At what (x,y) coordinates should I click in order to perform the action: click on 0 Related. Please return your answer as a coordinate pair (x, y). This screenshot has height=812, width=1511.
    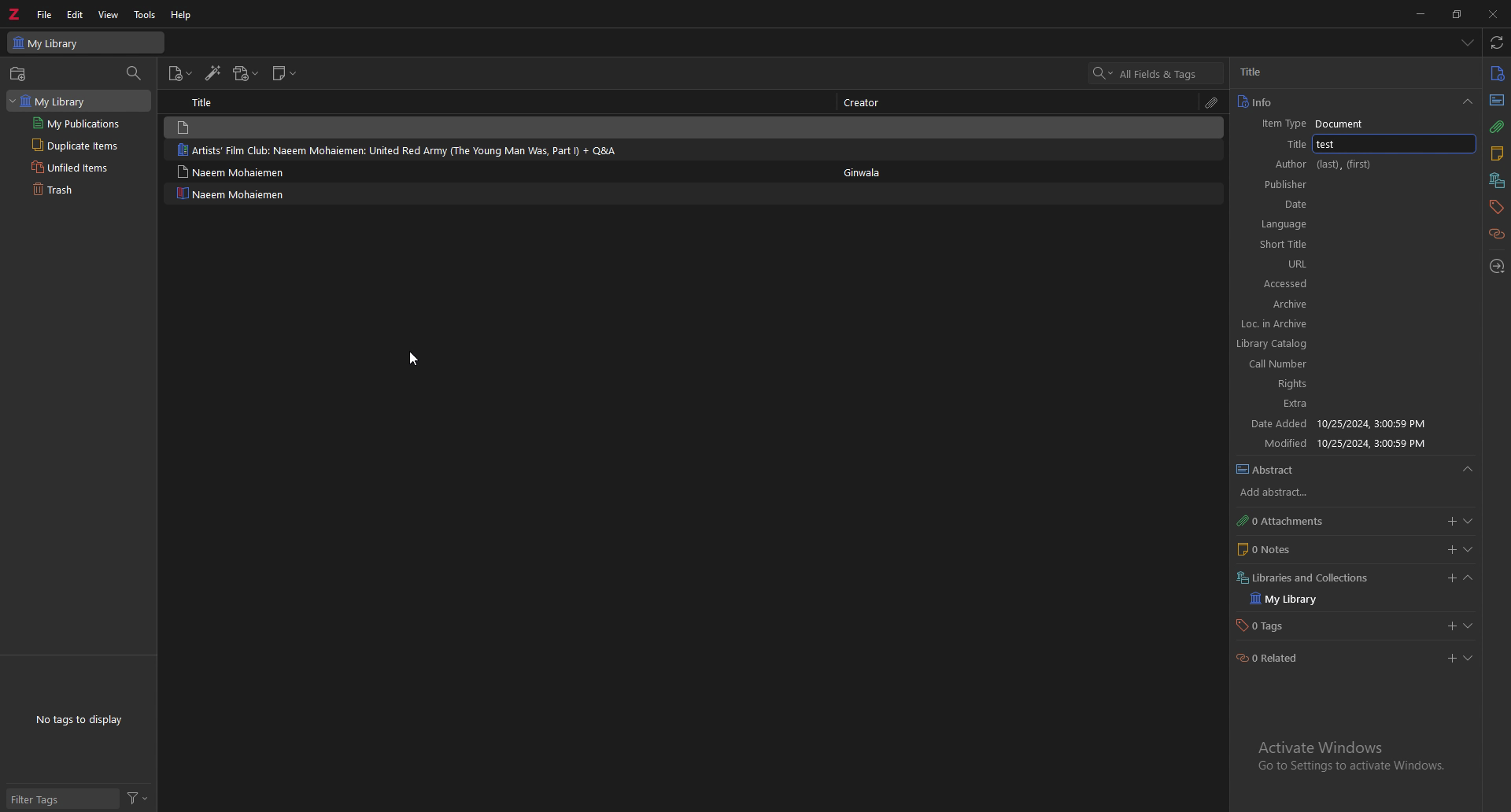
    Looking at the image, I should click on (1270, 655).